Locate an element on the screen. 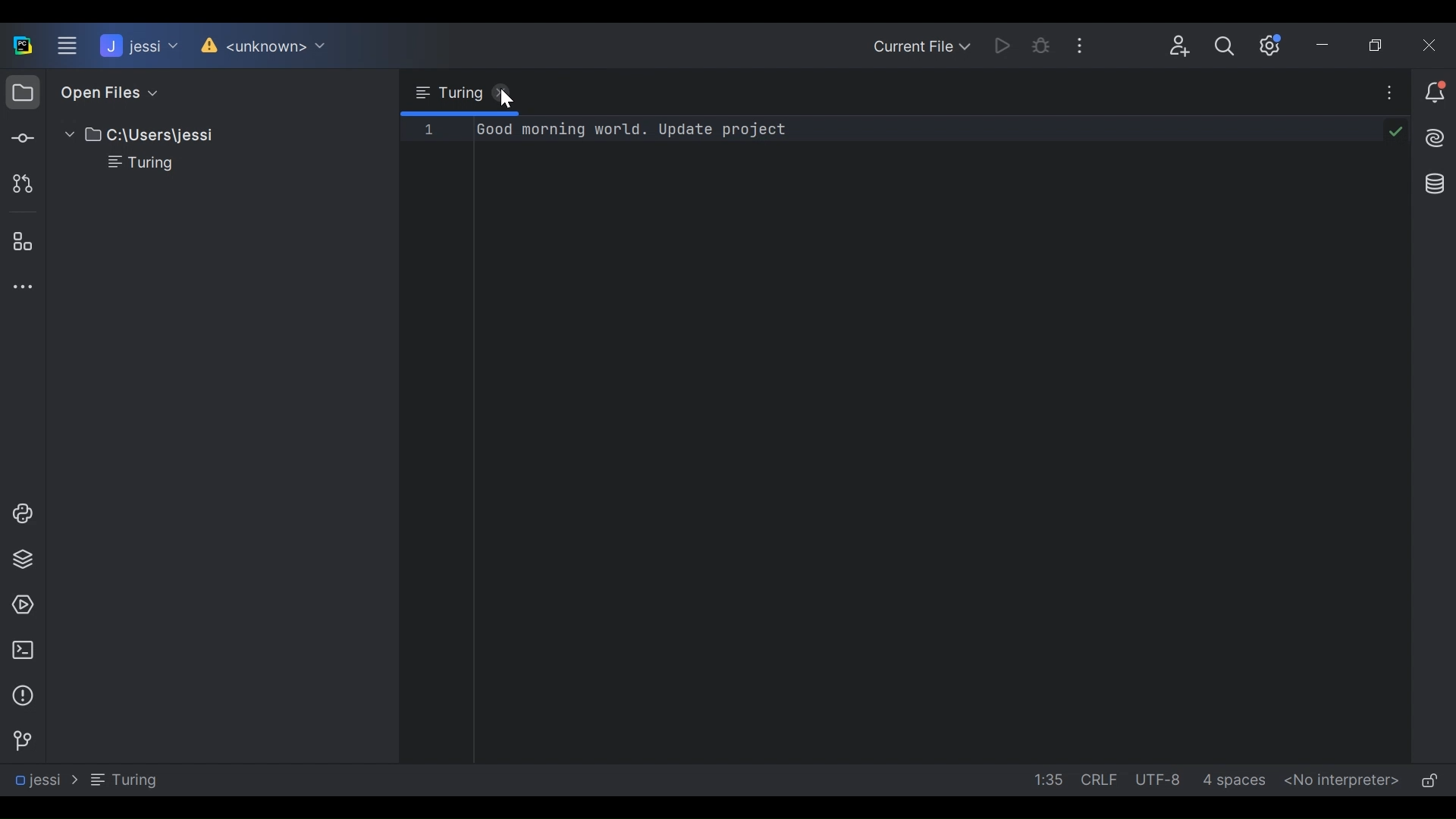 This screenshot has width=1456, height=819. Open Files is located at coordinates (101, 92).